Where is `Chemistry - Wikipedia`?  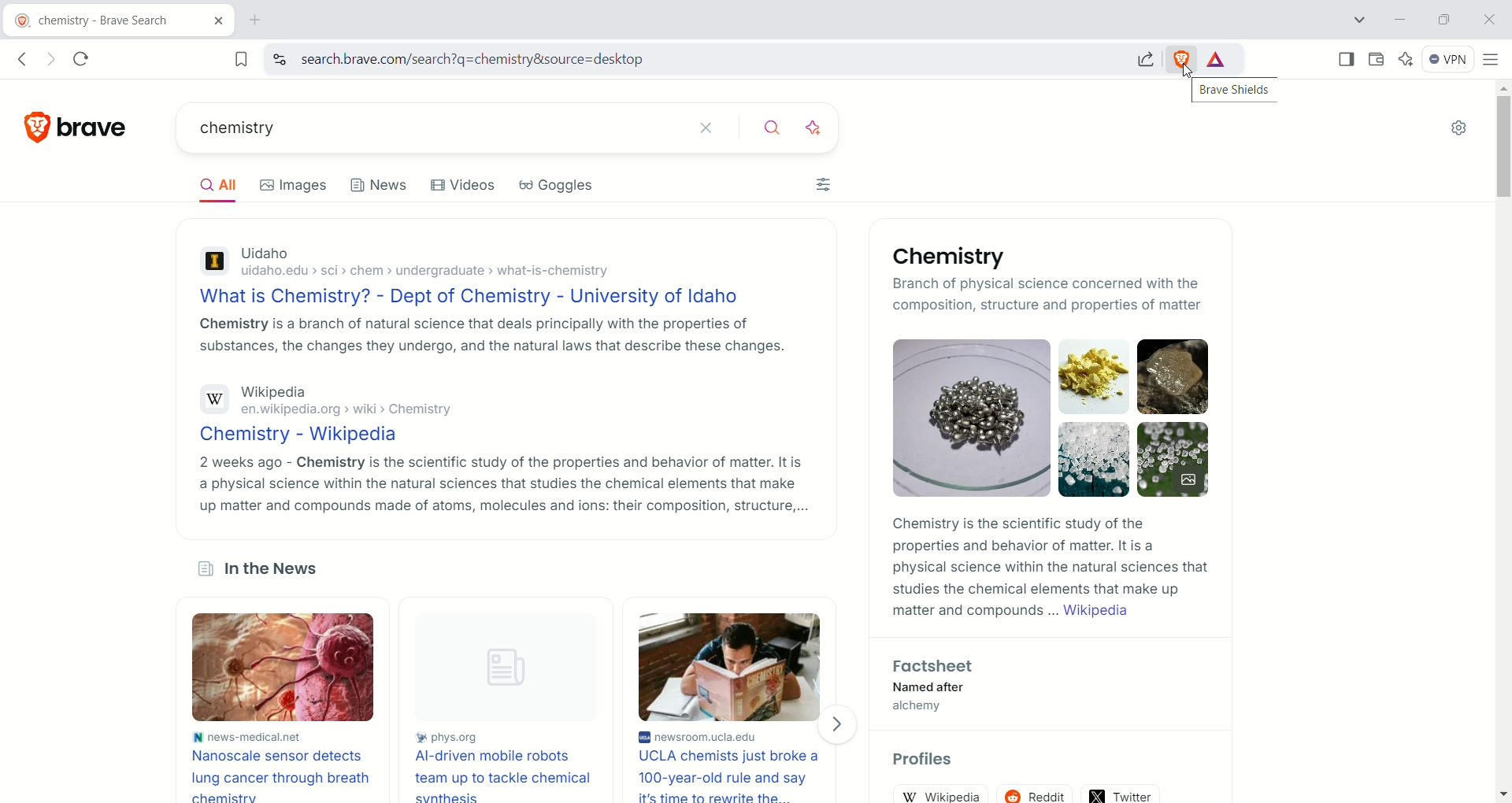
Chemistry - Wikipedia is located at coordinates (498, 437).